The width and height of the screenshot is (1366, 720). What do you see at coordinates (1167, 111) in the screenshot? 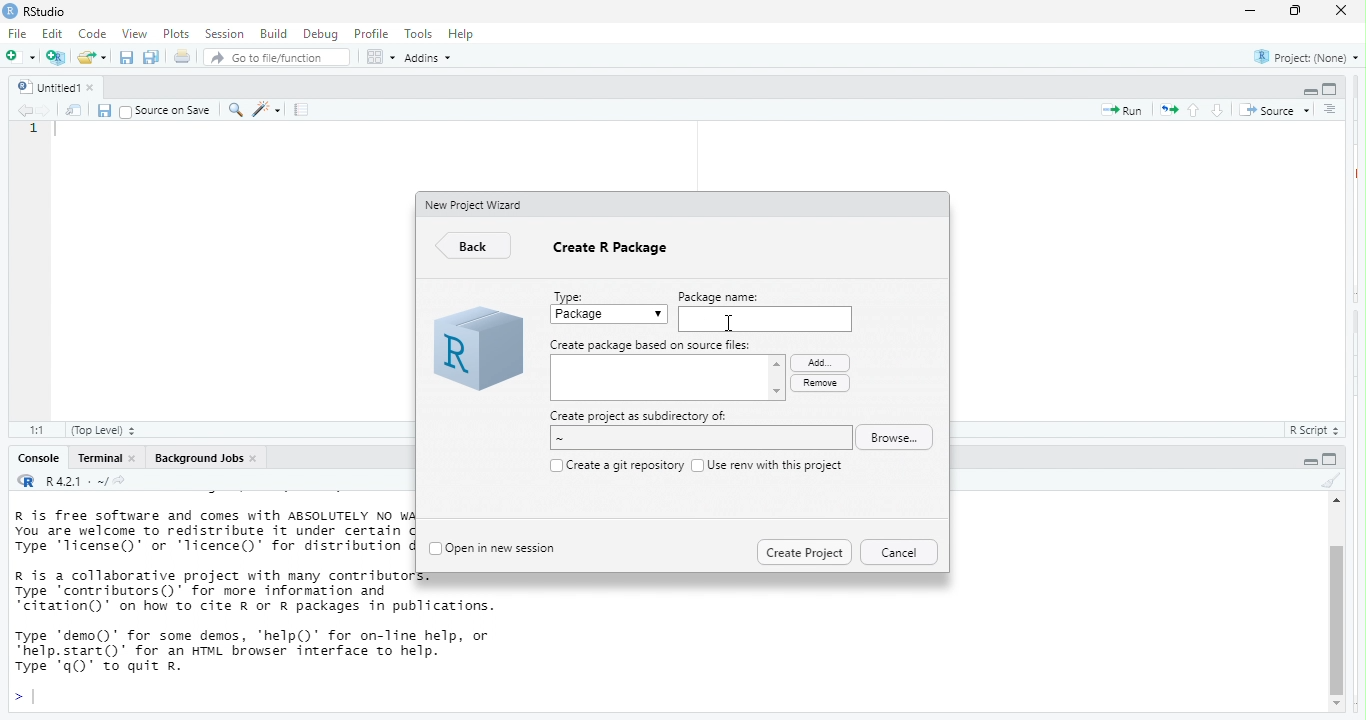
I see `re run the previous code` at bounding box center [1167, 111].